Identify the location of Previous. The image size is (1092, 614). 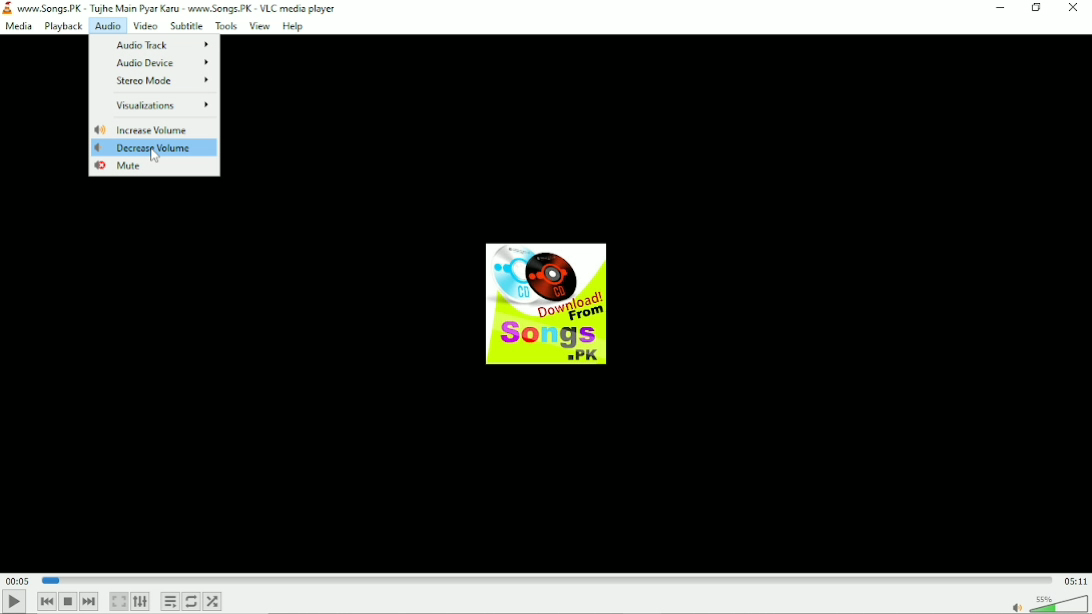
(46, 600).